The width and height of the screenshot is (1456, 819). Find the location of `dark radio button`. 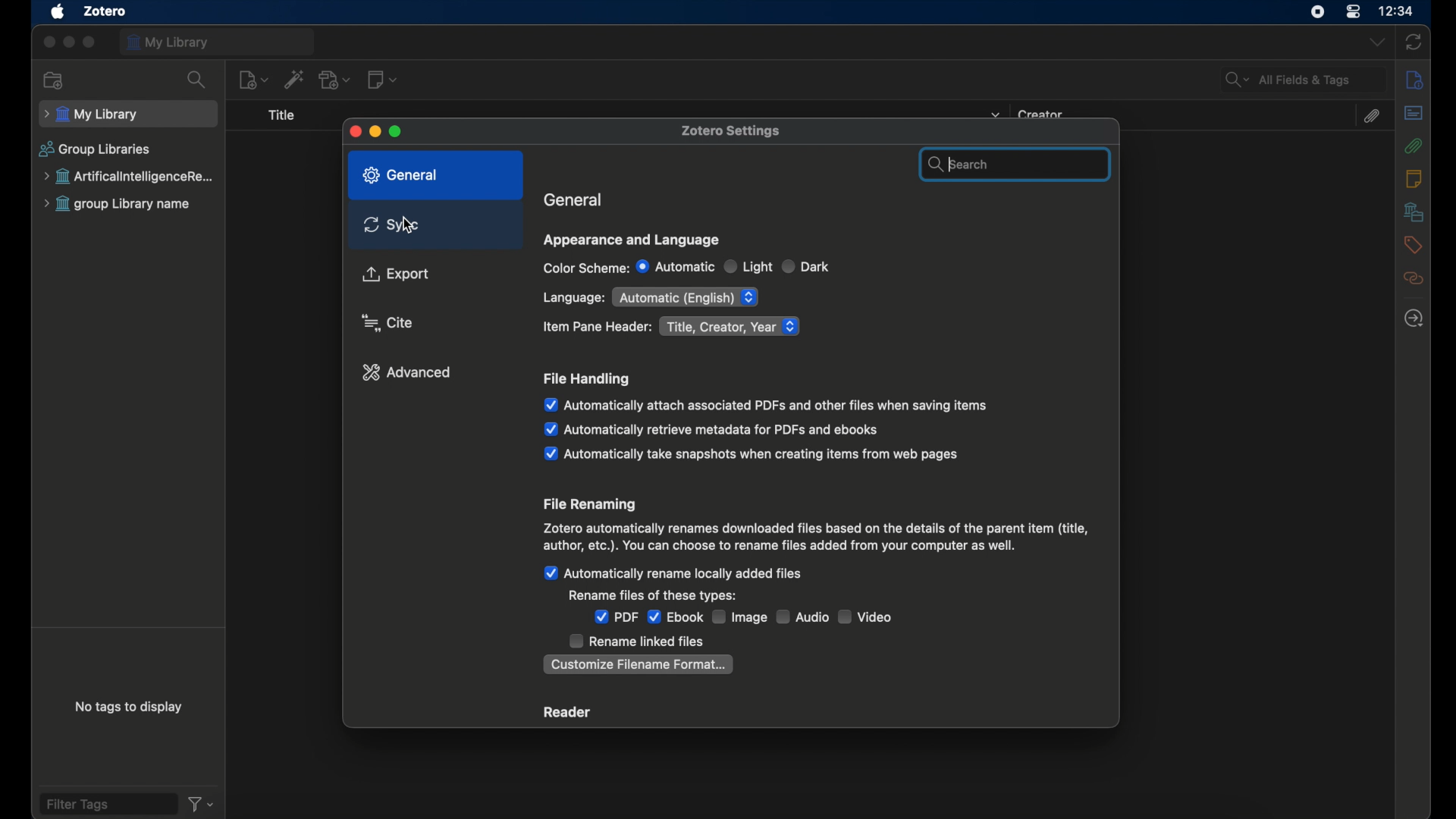

dark radio button is located at coordinates (808, 267).